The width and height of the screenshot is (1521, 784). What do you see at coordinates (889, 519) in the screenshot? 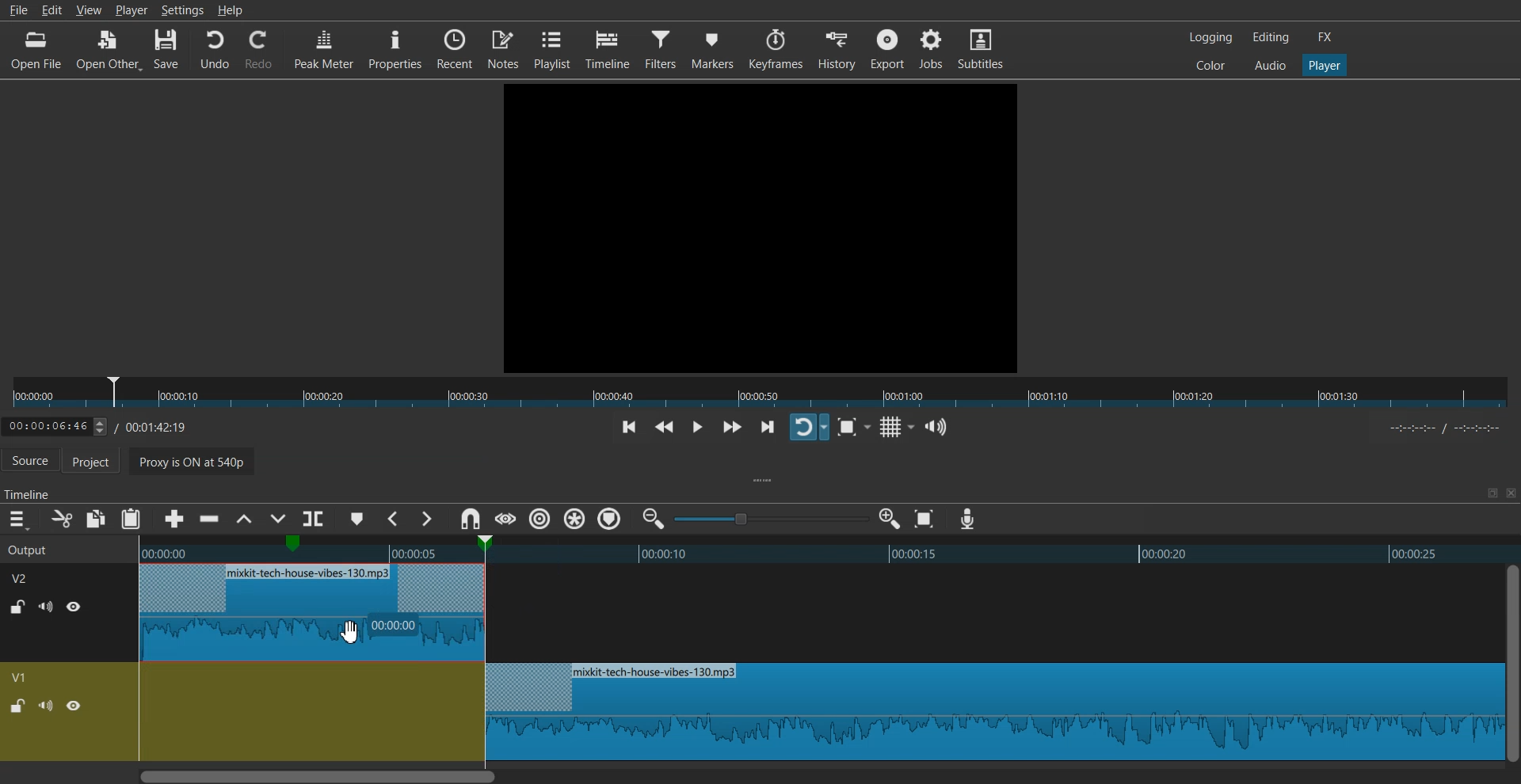
I see `Zoom timeline in` at bounding box center [889, 519].